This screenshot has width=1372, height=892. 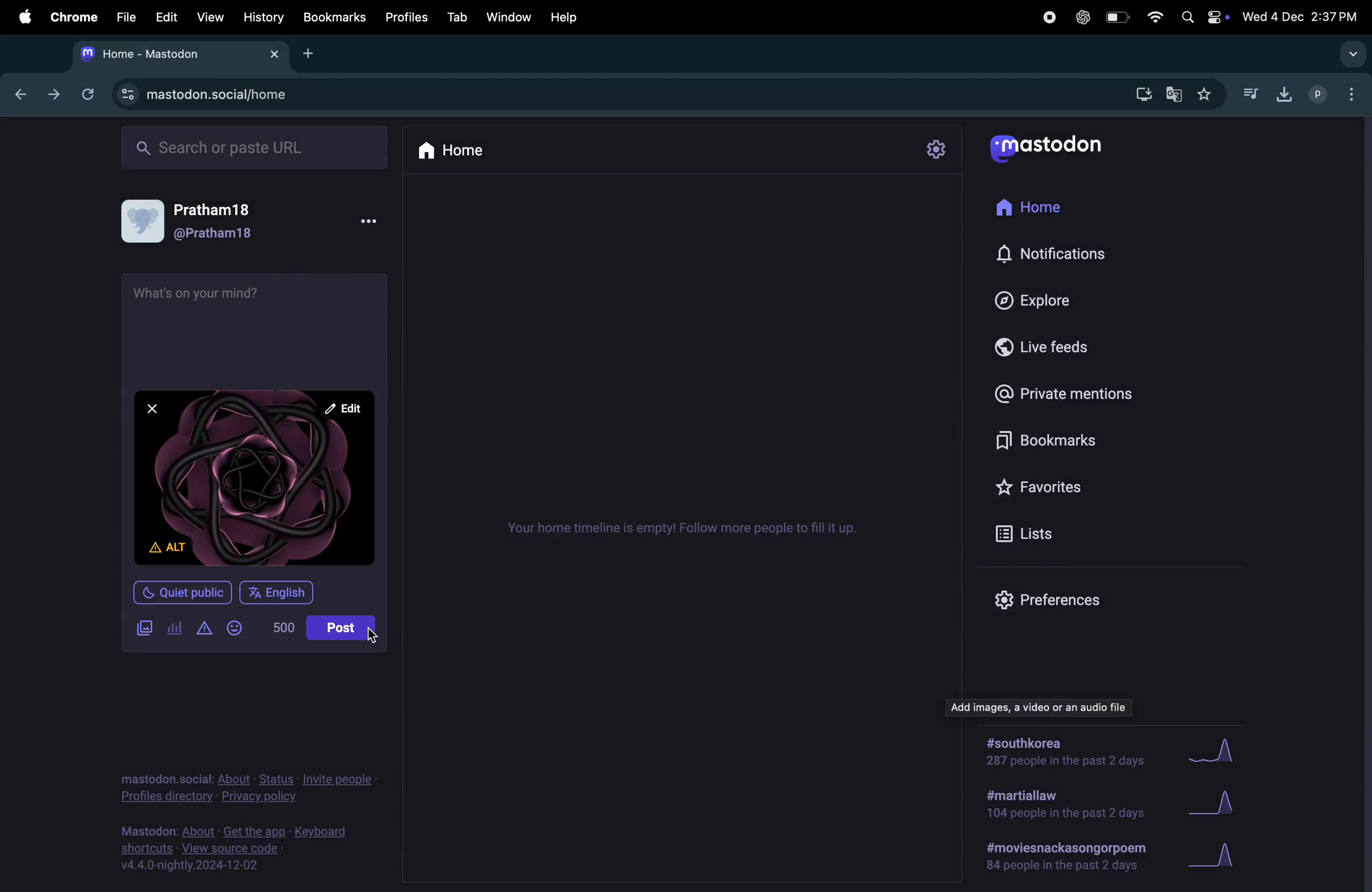 I want to click on history, so click(x=265, y=17).